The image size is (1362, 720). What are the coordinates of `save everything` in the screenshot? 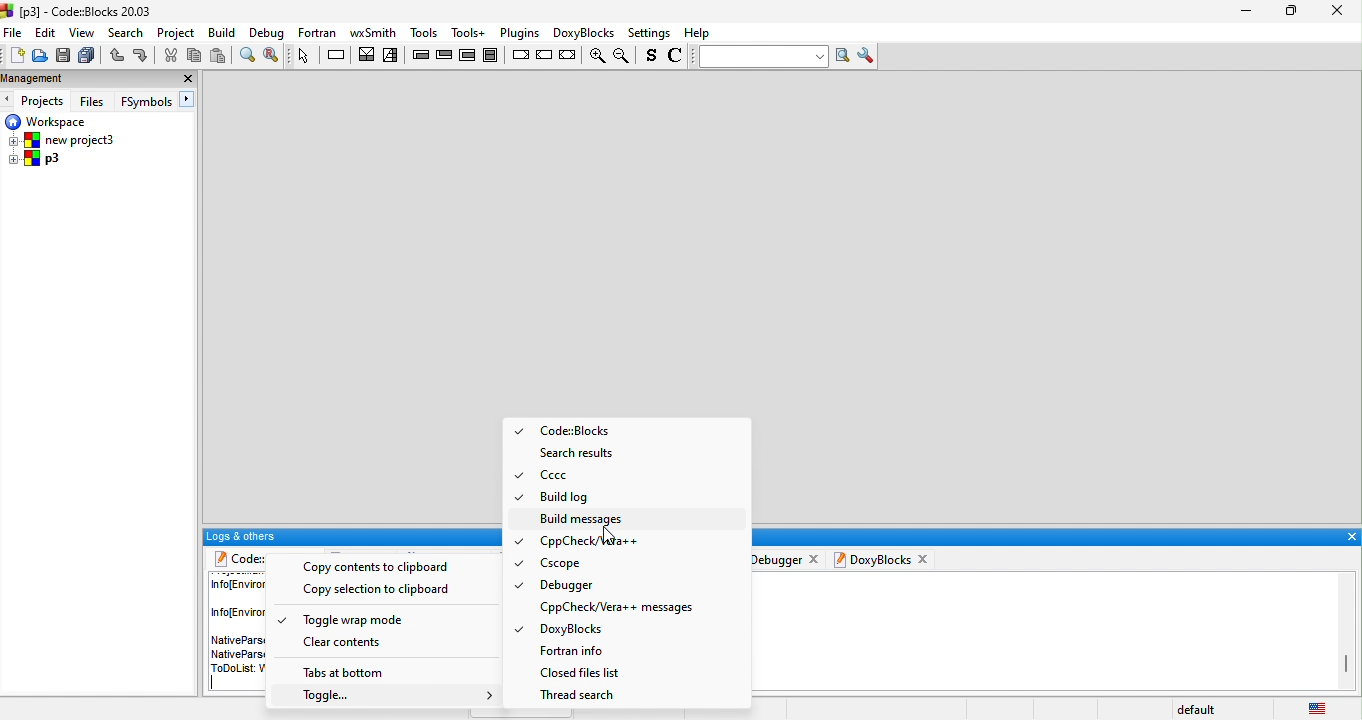 It's located at (86, 56).